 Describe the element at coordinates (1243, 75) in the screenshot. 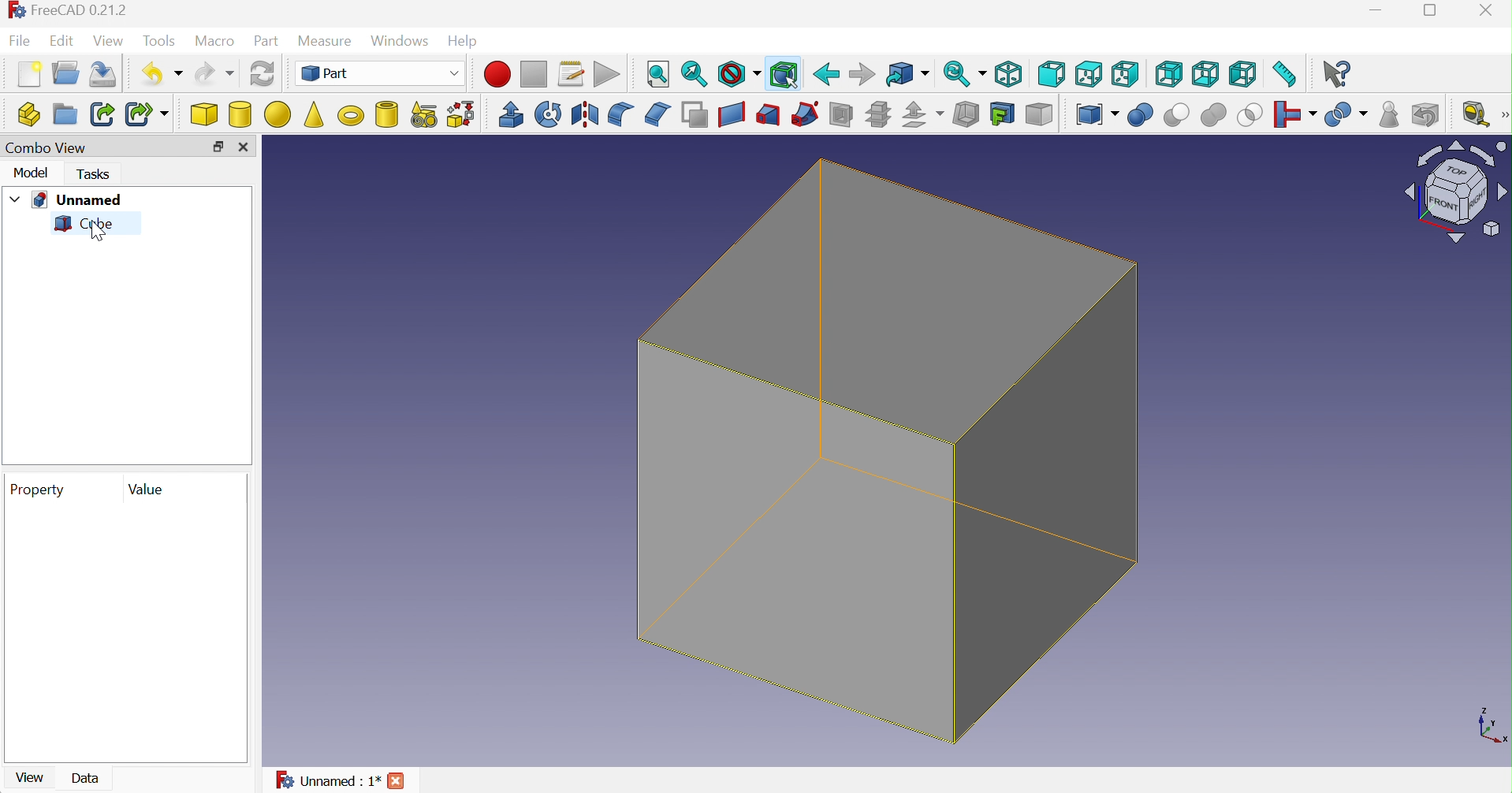

I see `Left` at that location.